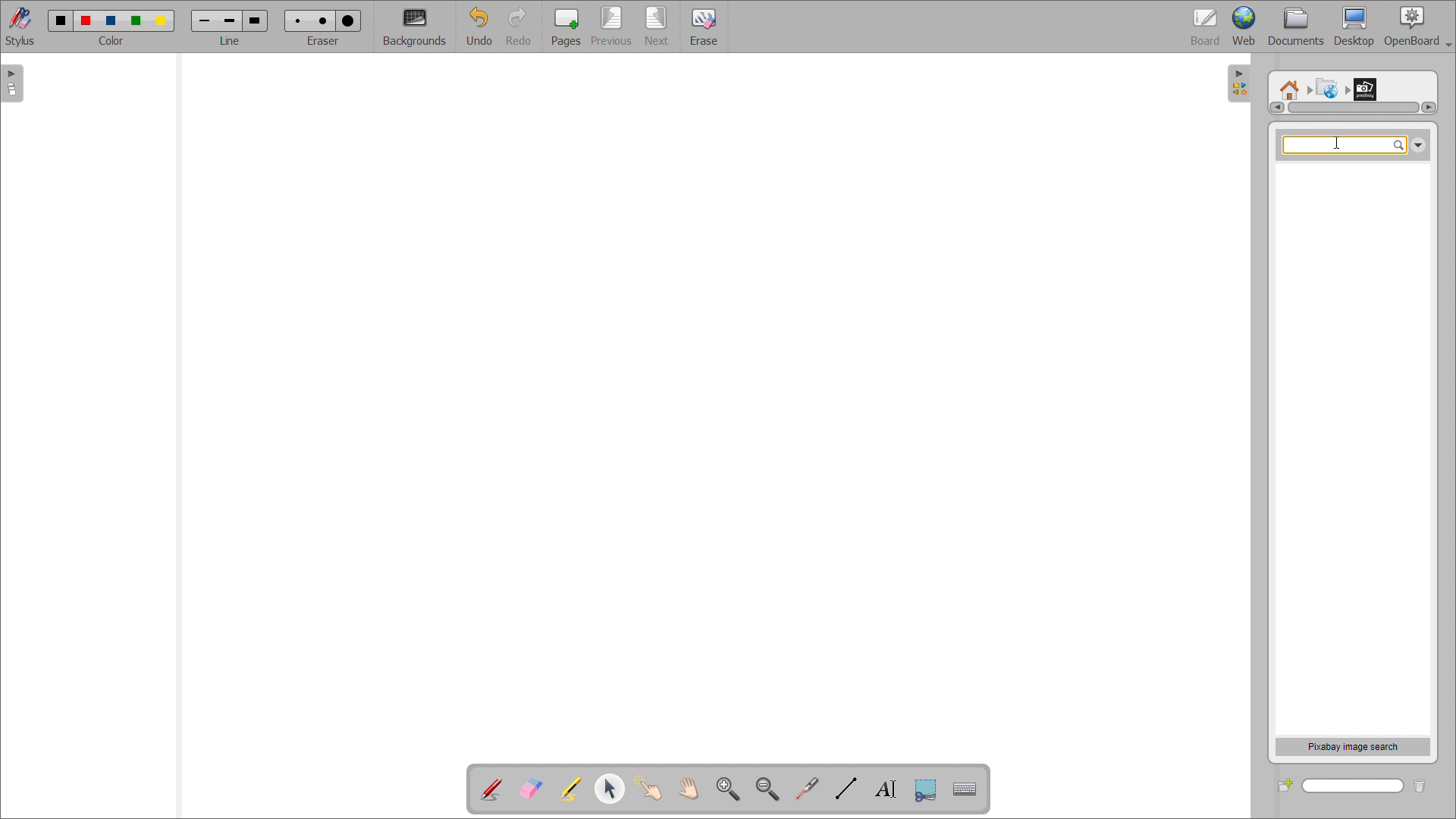  I want to click on space for search results, so click(1351, 449).